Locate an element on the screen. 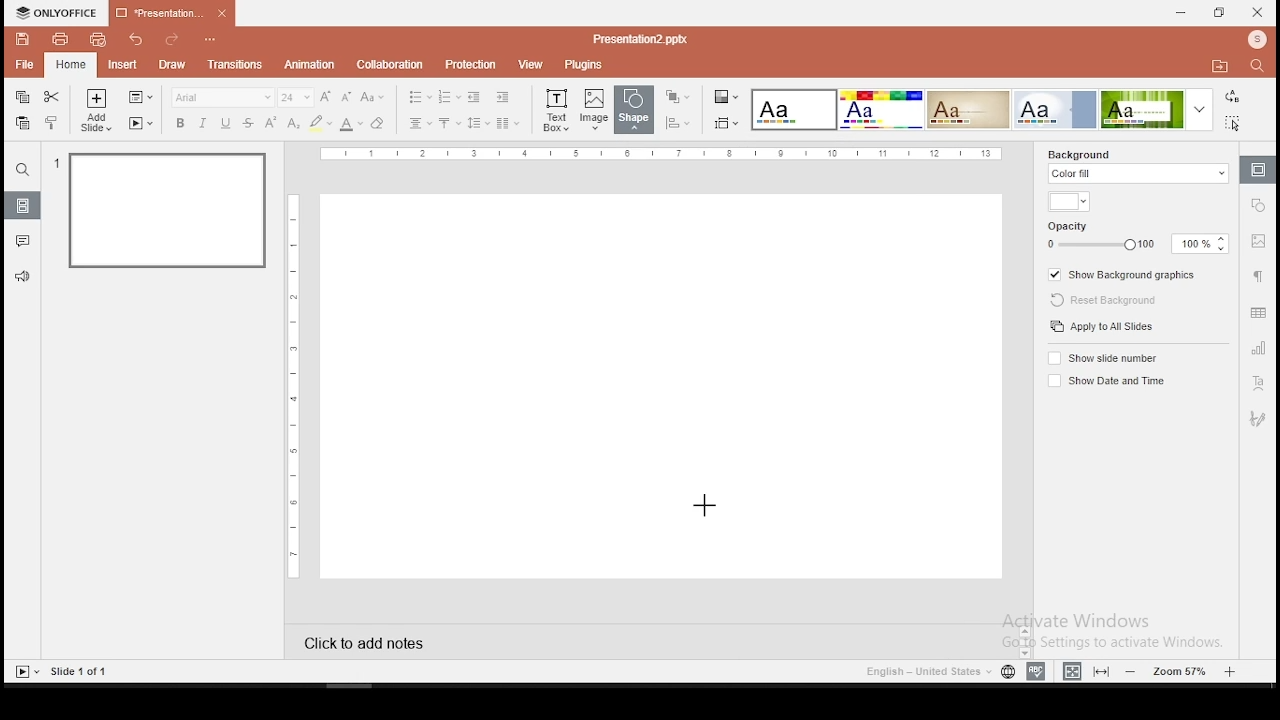 The width and height of the screenshot is (1280, 720). subscript is located at coordinates (293, 123).